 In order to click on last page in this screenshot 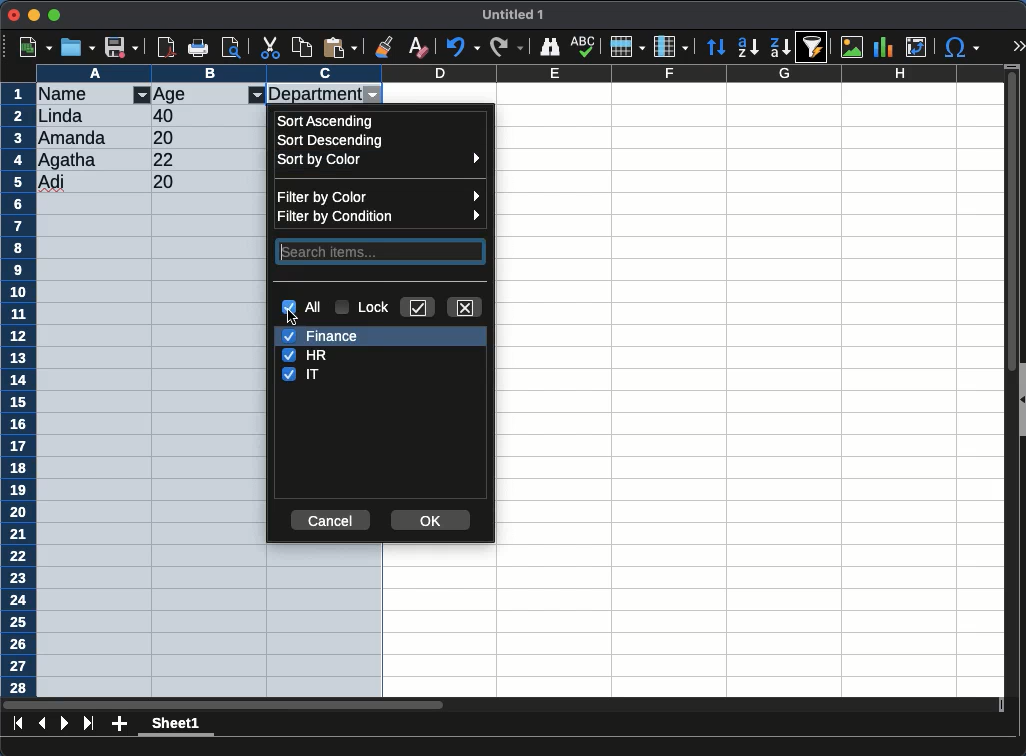, I will do `click(88, 725)`.